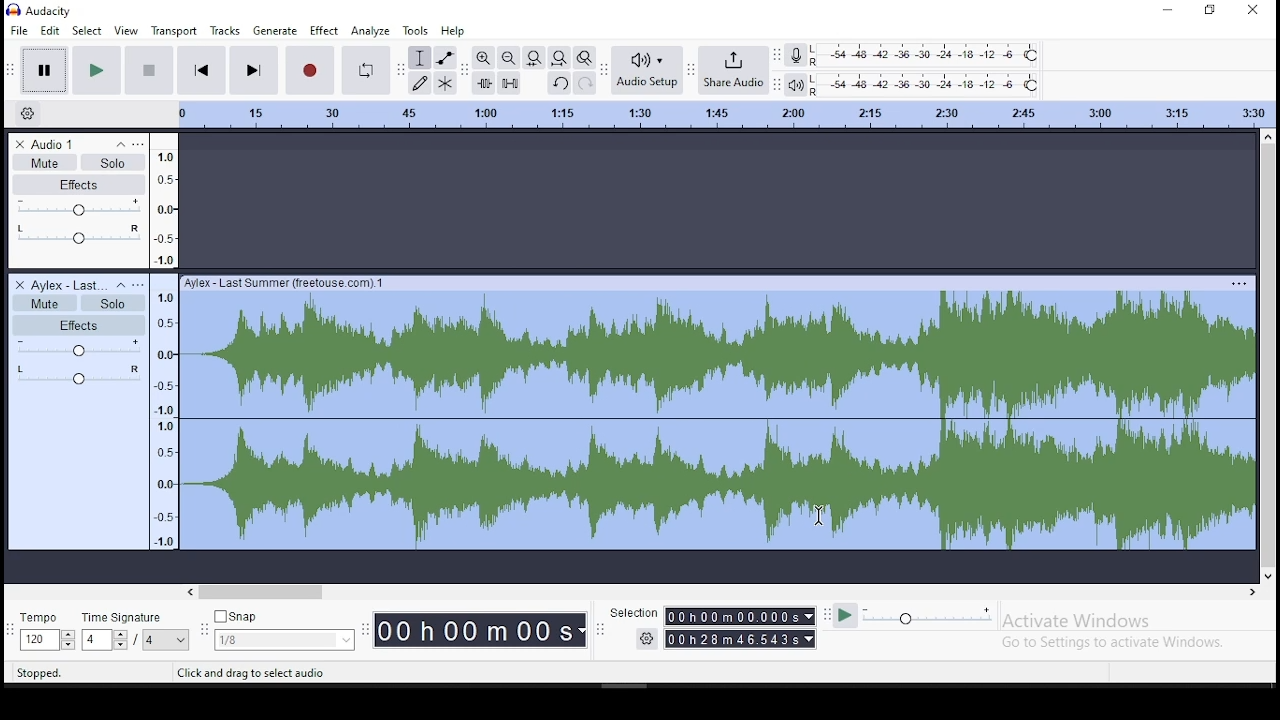 The height and width of the screenshot is (720, 1280). Describe the element at coordinates (1212, 11) in the screenshot. I see `restore` at that location.